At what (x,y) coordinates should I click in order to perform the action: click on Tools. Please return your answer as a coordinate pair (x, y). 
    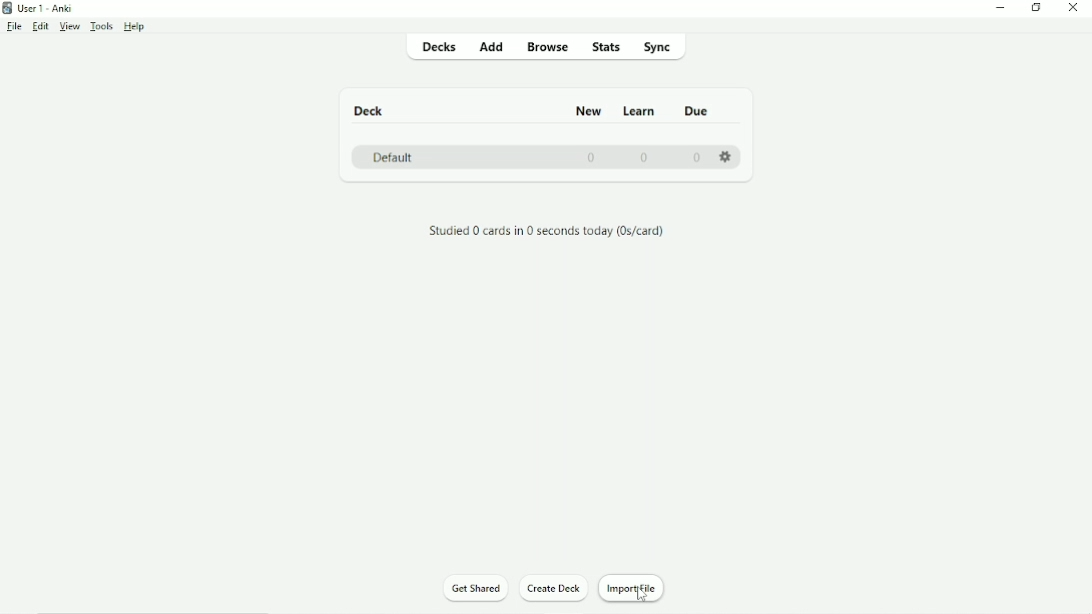
    Looking at the image, I should click on (101, 26).